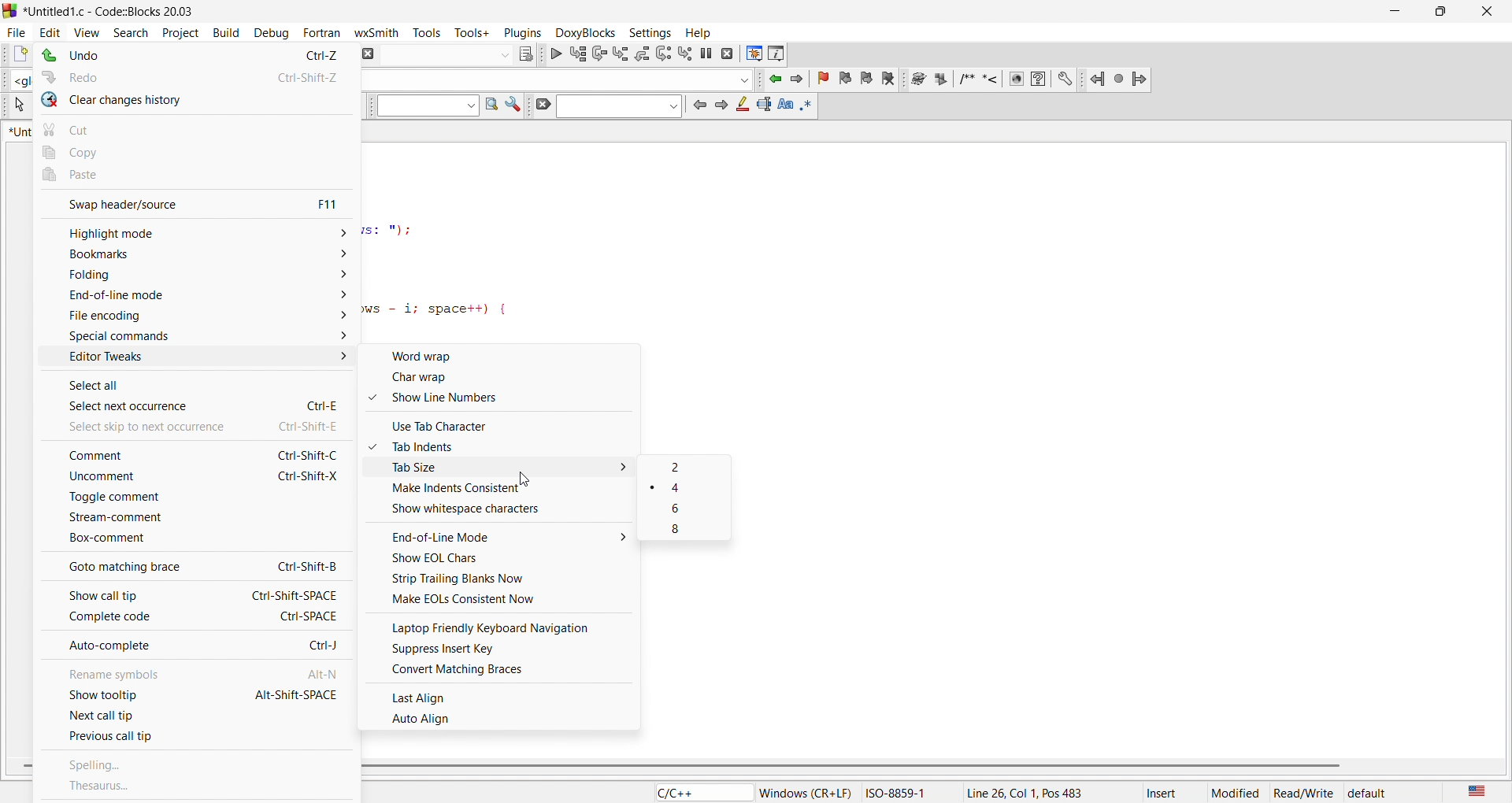  Describe the element at coordinates (180, 31) in the screenshot. I see `project` at that location.